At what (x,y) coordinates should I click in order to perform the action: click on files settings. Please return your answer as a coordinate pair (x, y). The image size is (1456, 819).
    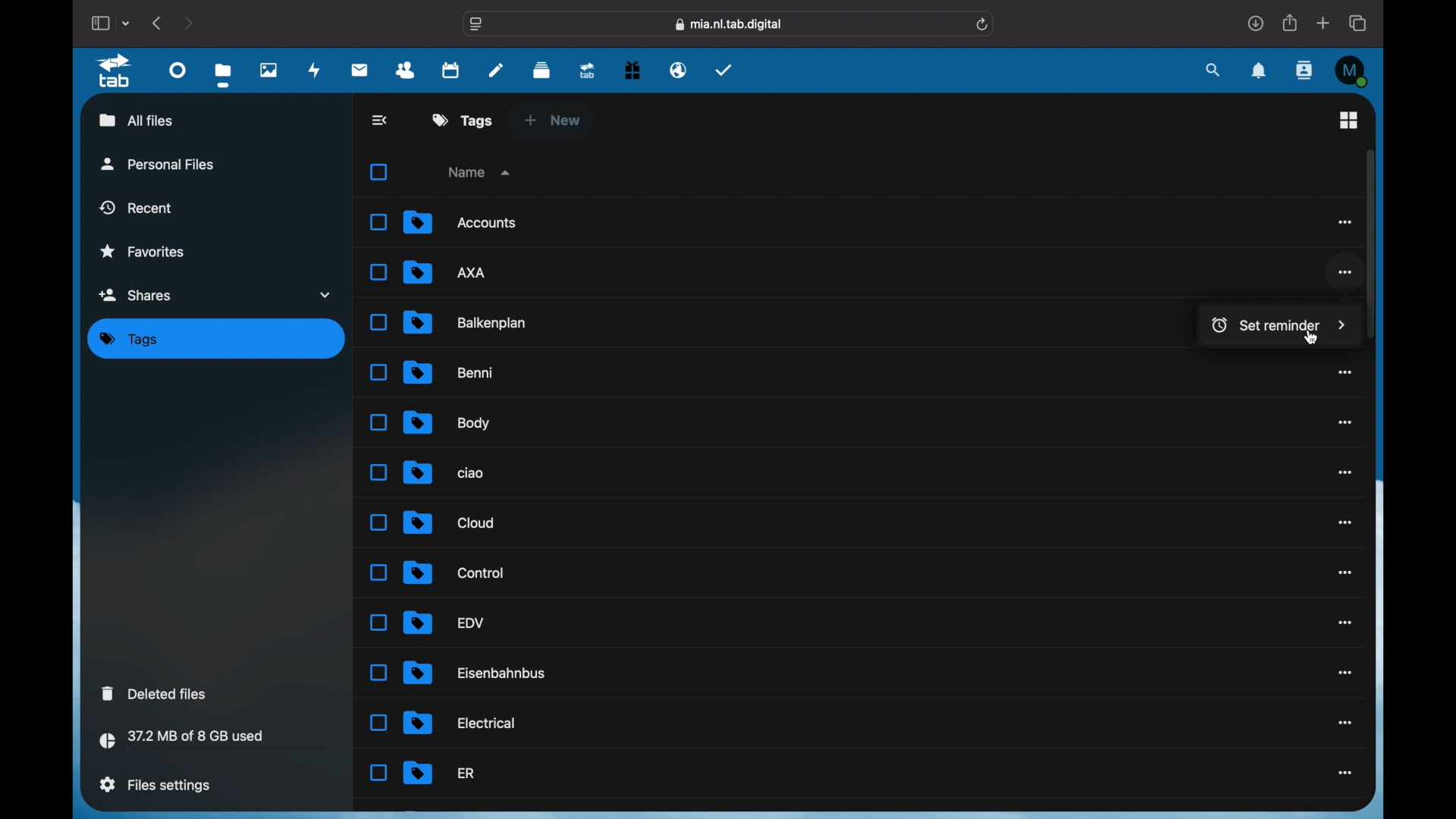
    Looking at the image, I should click on (155, 784).